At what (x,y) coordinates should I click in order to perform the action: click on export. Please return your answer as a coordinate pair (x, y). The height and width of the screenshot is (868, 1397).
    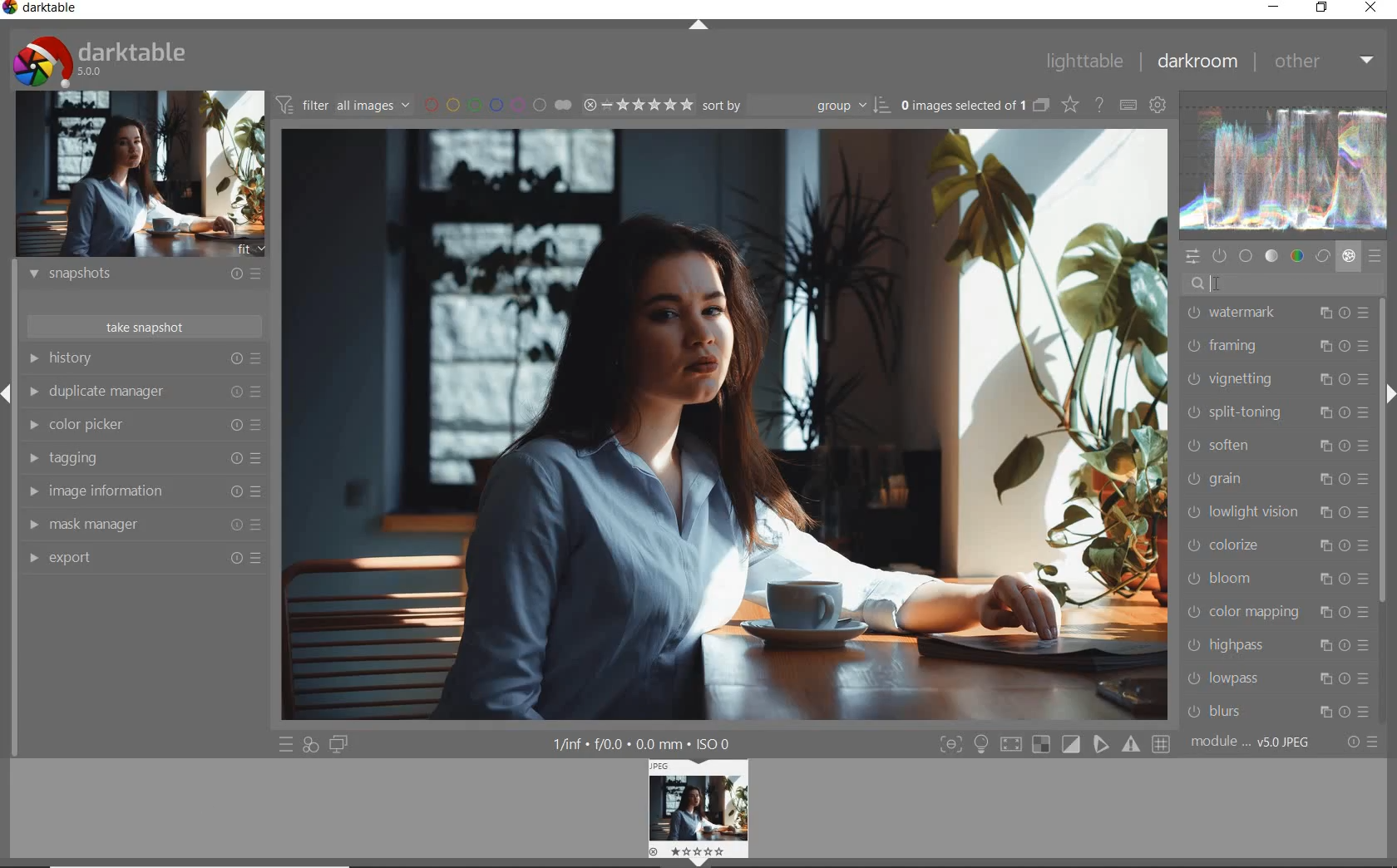
    Looking at the image, I should click on (144, 557).